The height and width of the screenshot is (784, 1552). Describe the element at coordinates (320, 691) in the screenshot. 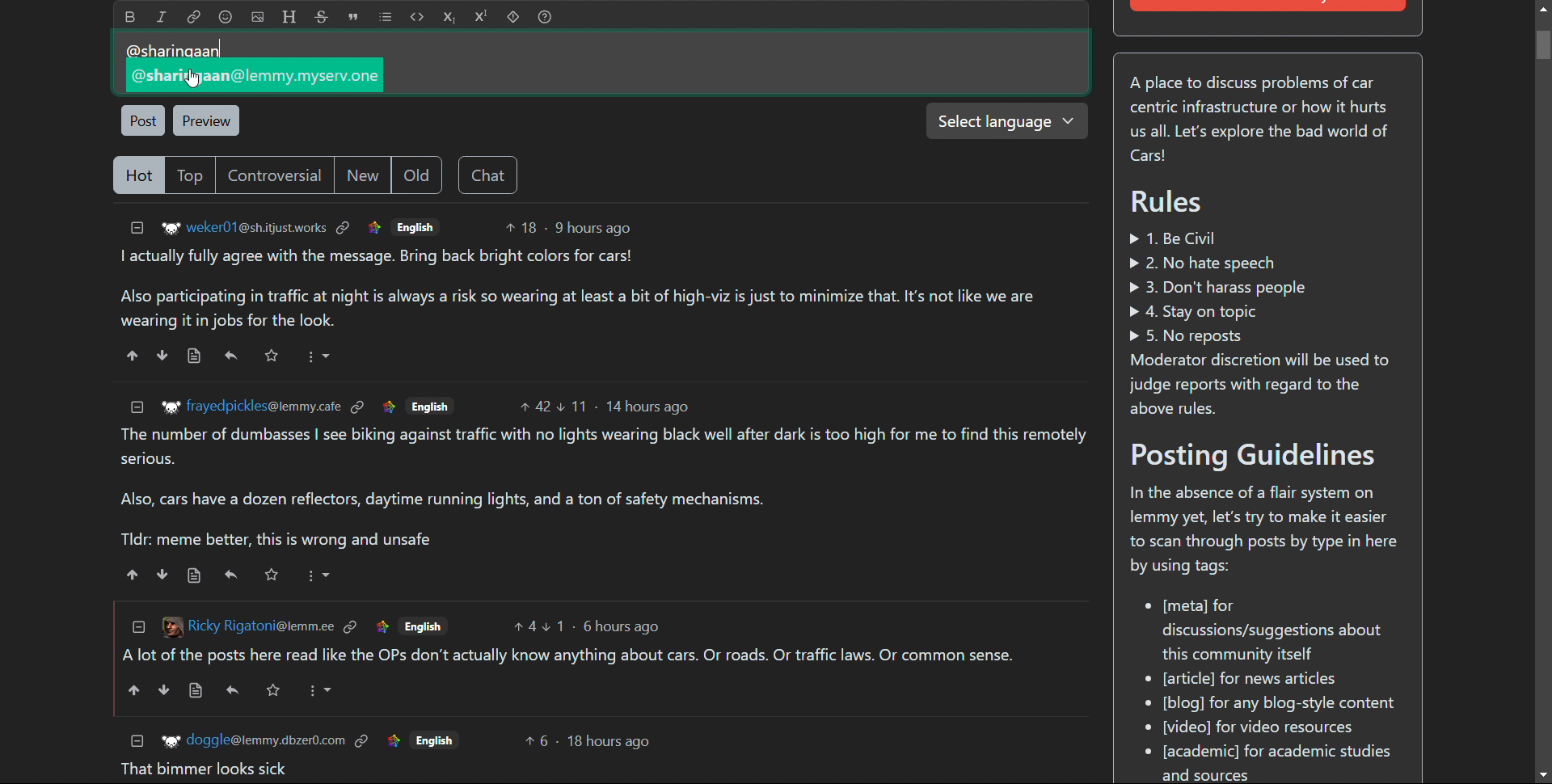

I see `More` at that location.